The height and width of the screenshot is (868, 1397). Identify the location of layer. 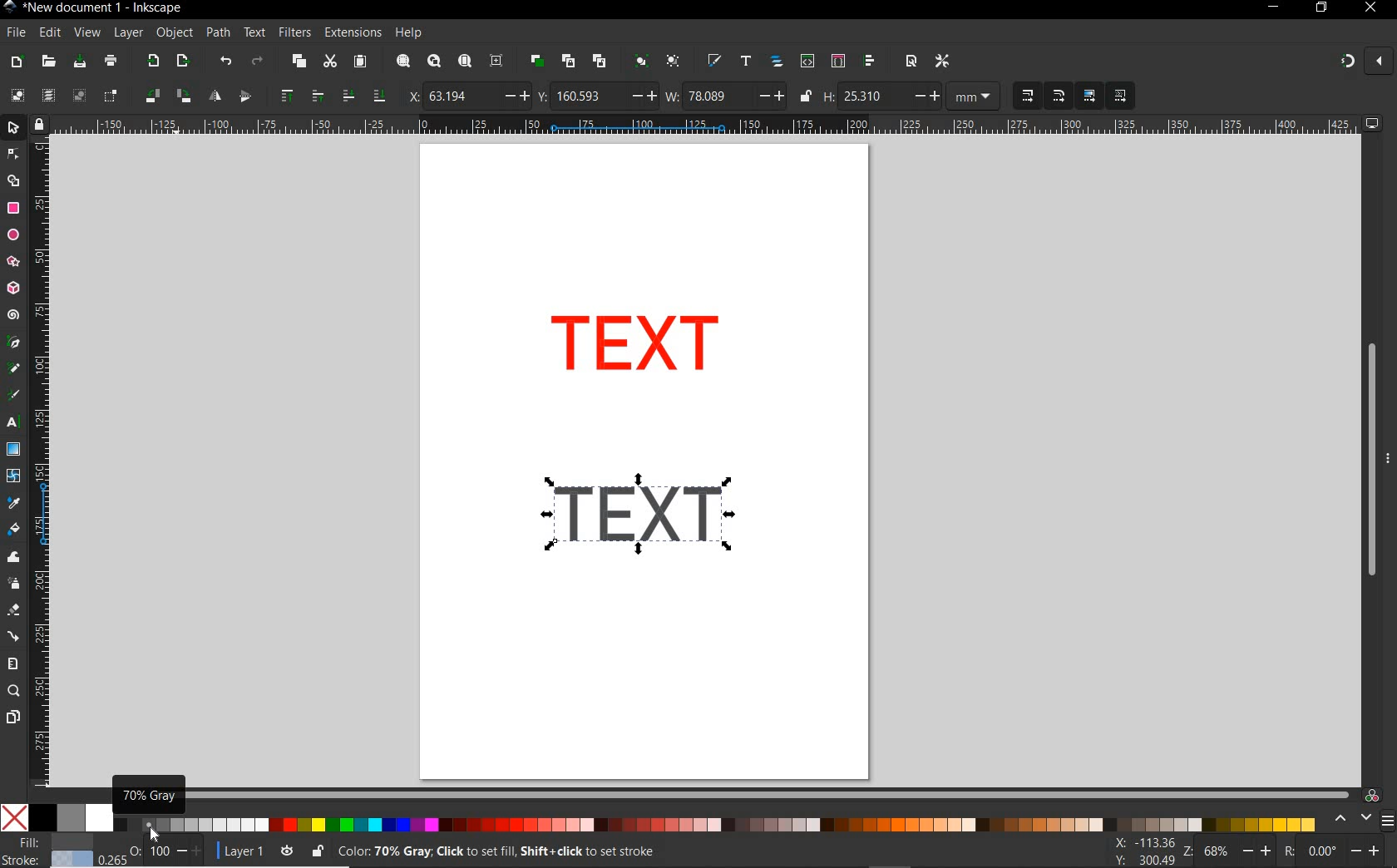
(129, 33).